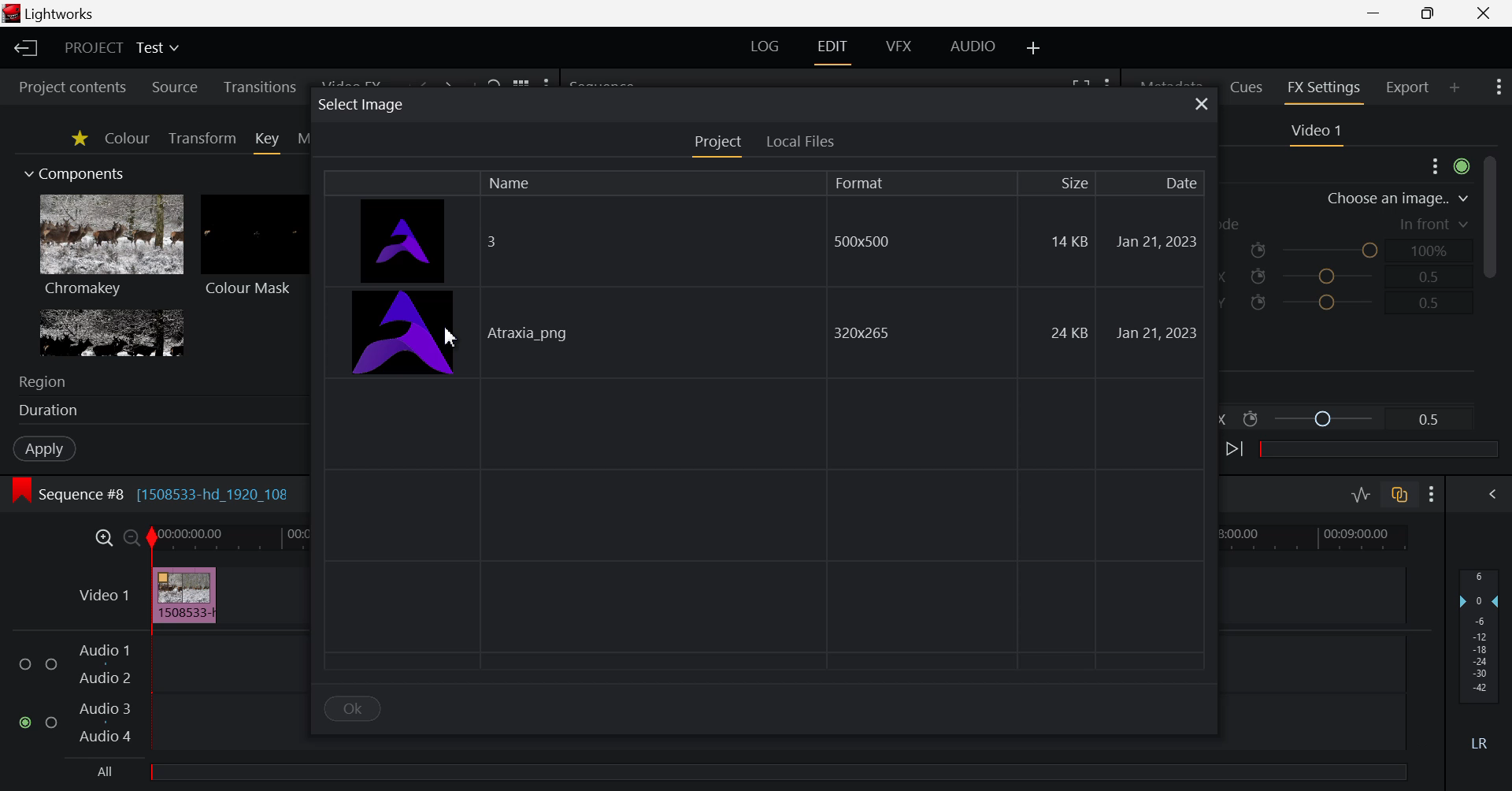 The height and width of the screenshot is (791, 1512). What do you see at coordinates (53, 412) in the screenshot?
I see `duration` at bounding box center [53, 412].